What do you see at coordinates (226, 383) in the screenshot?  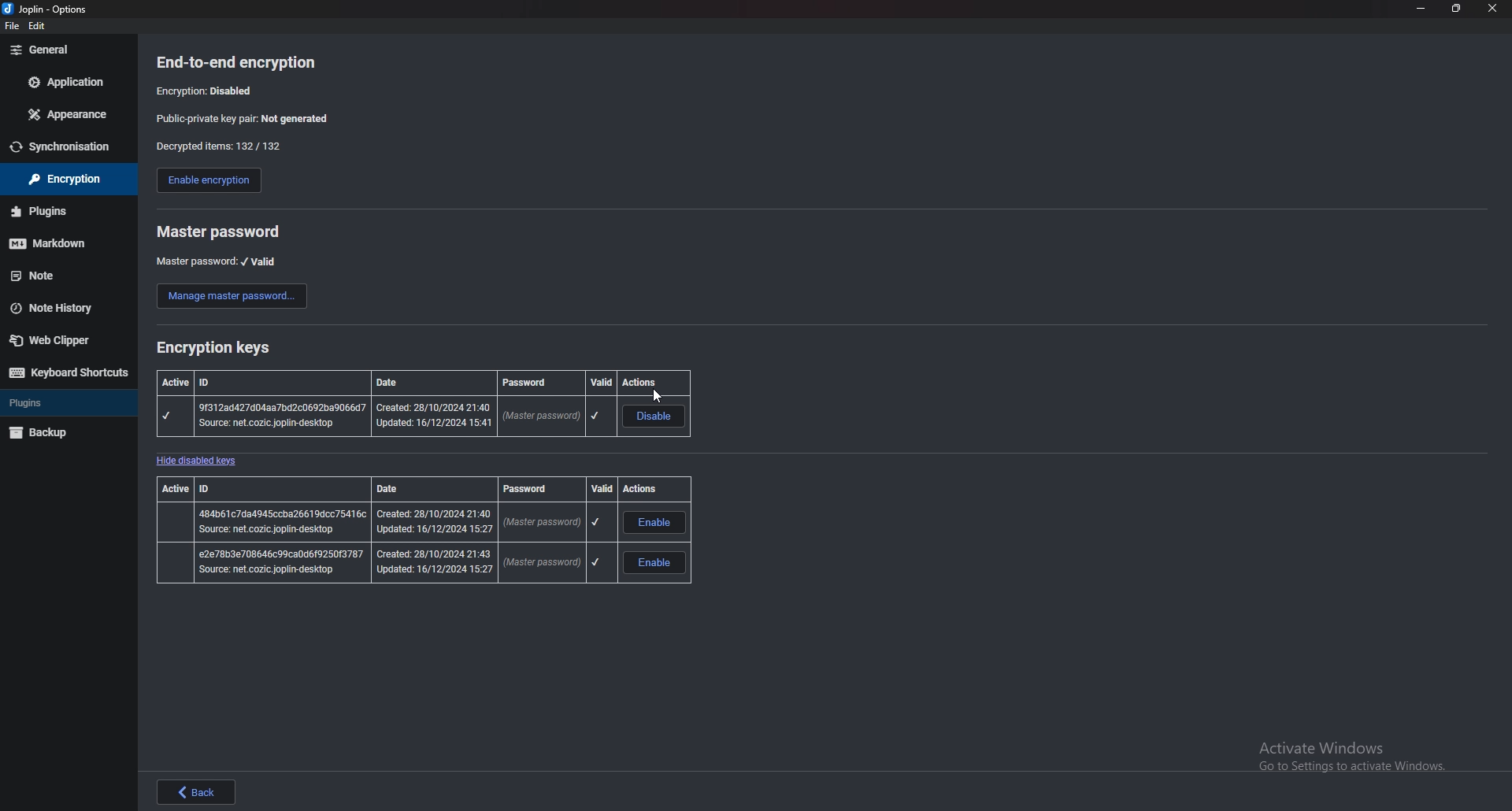 I see `id` at bounding box center [226, 383].